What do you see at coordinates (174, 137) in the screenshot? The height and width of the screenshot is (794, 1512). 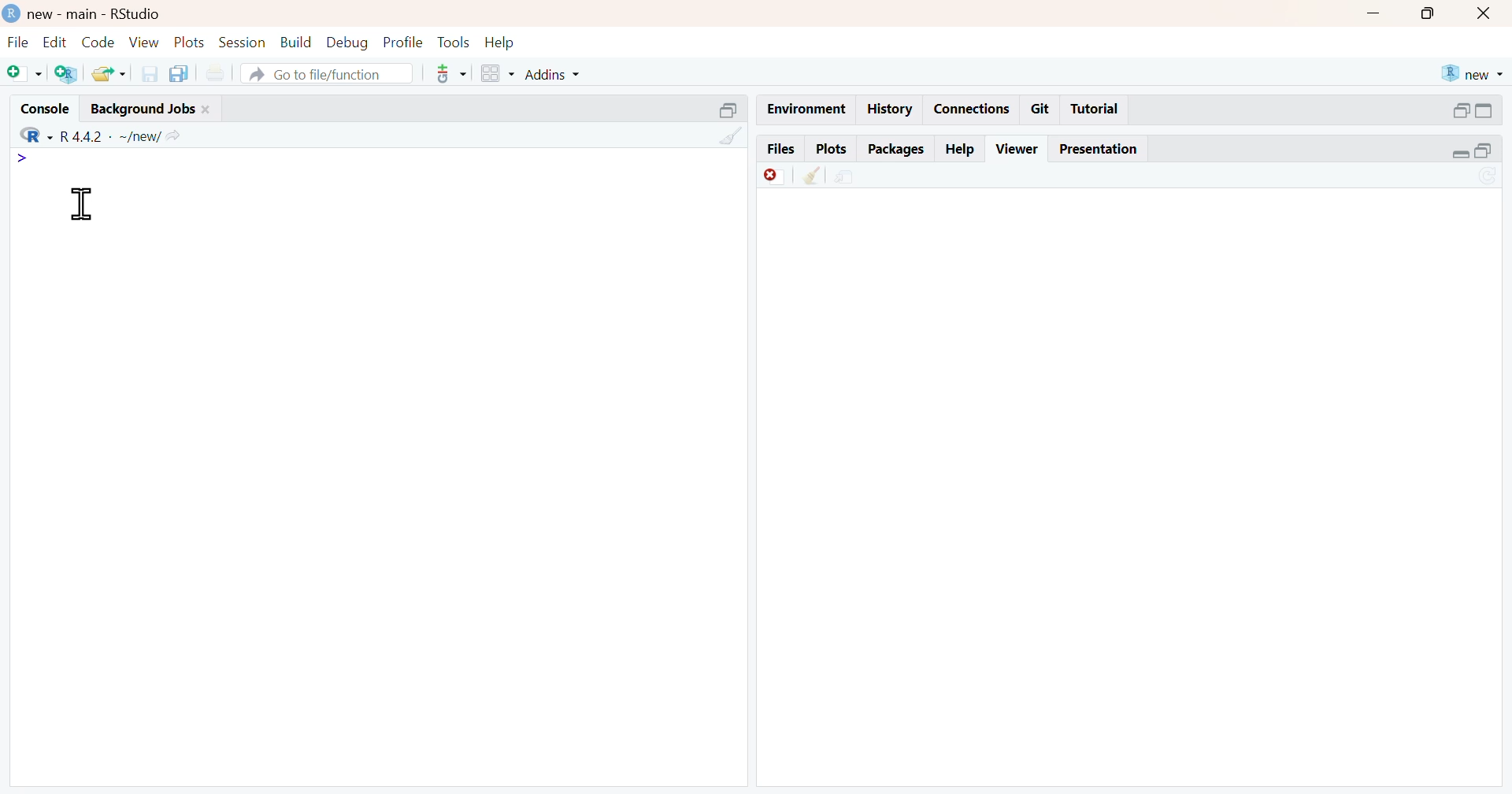 I see `view the current working directory` at bounding box center [174, 137].